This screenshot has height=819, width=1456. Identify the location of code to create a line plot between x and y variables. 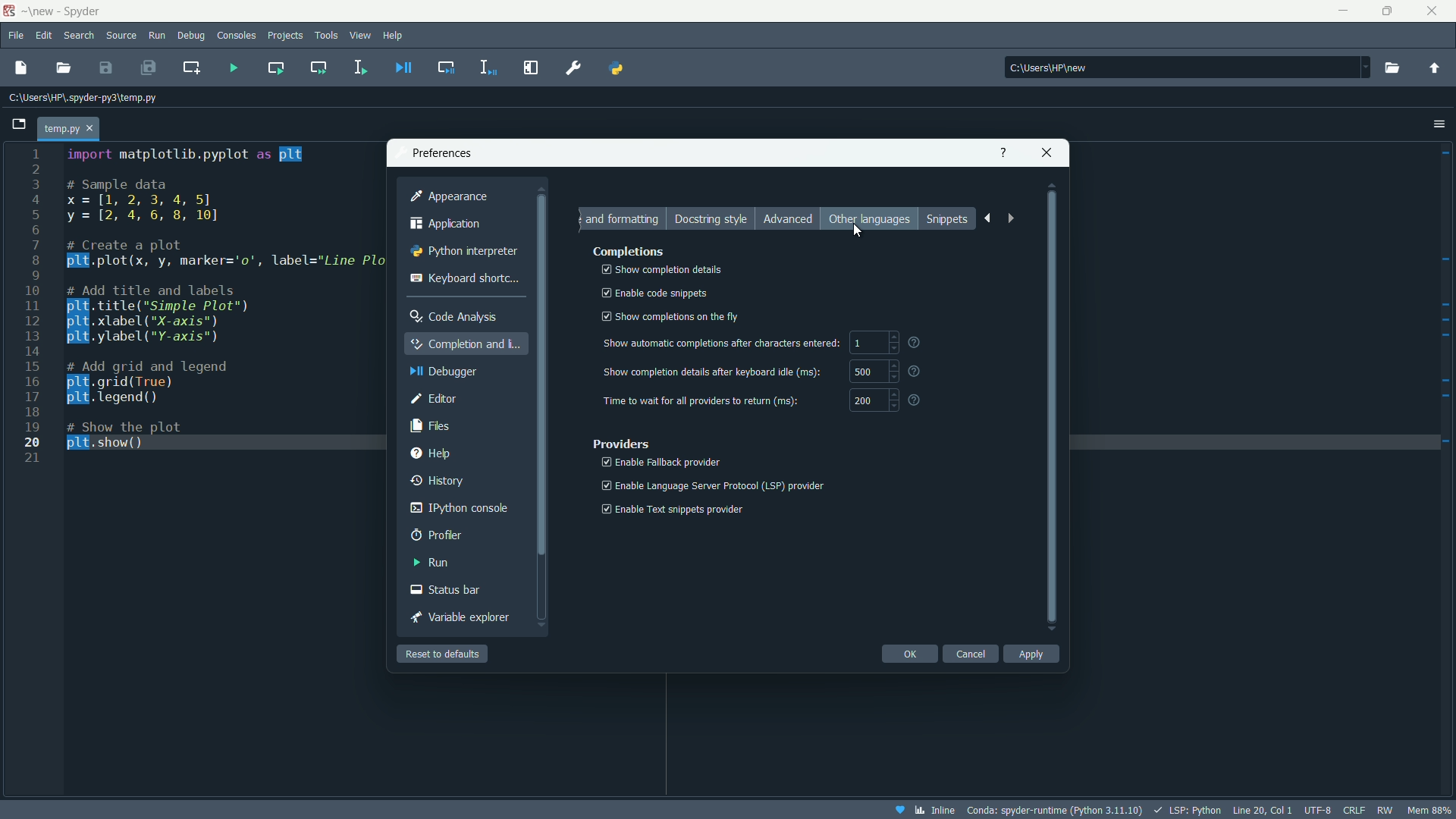
(221, 301).